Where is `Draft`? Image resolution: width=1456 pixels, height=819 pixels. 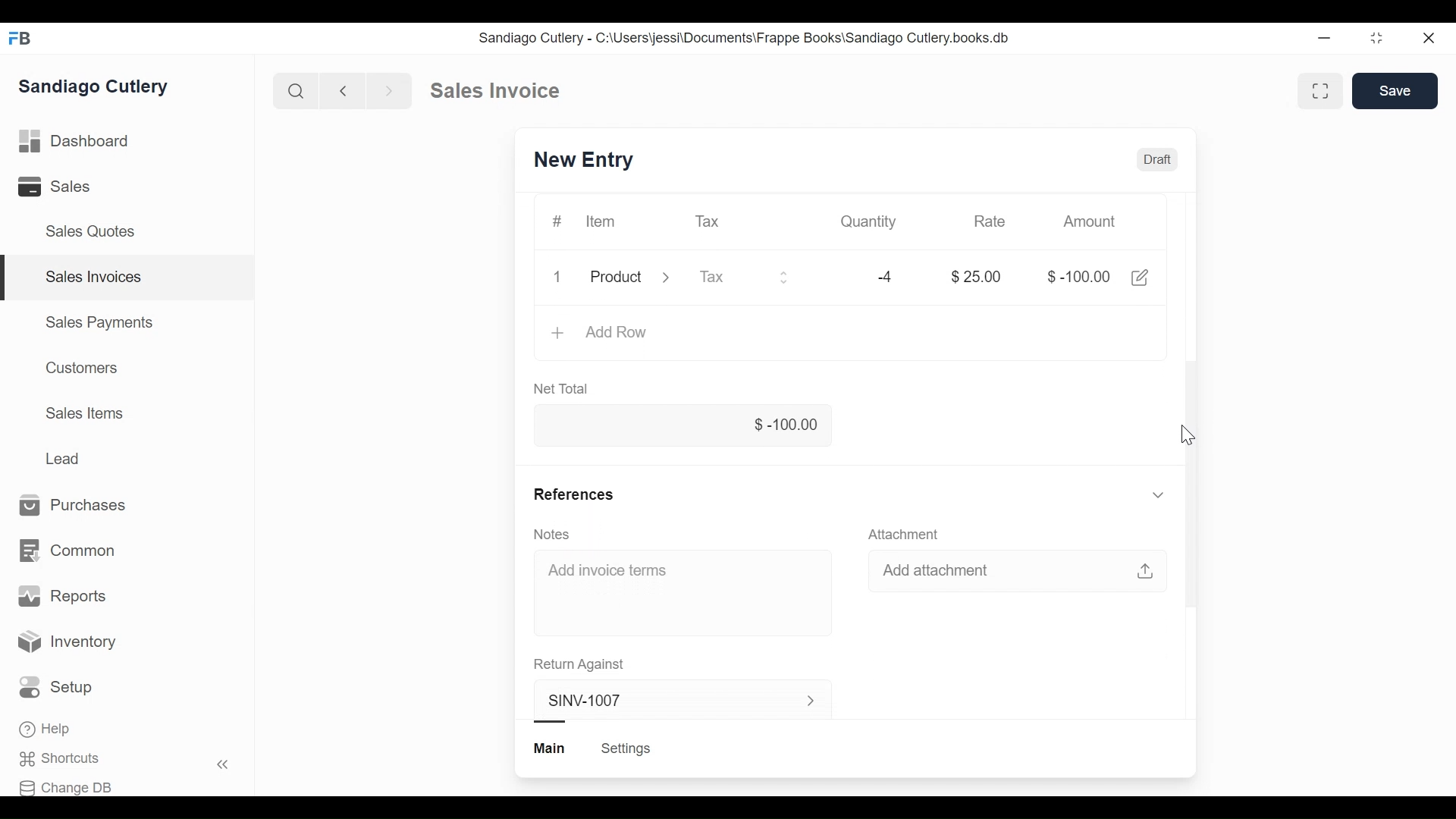
Draft is located at coordinates (1157, 159).